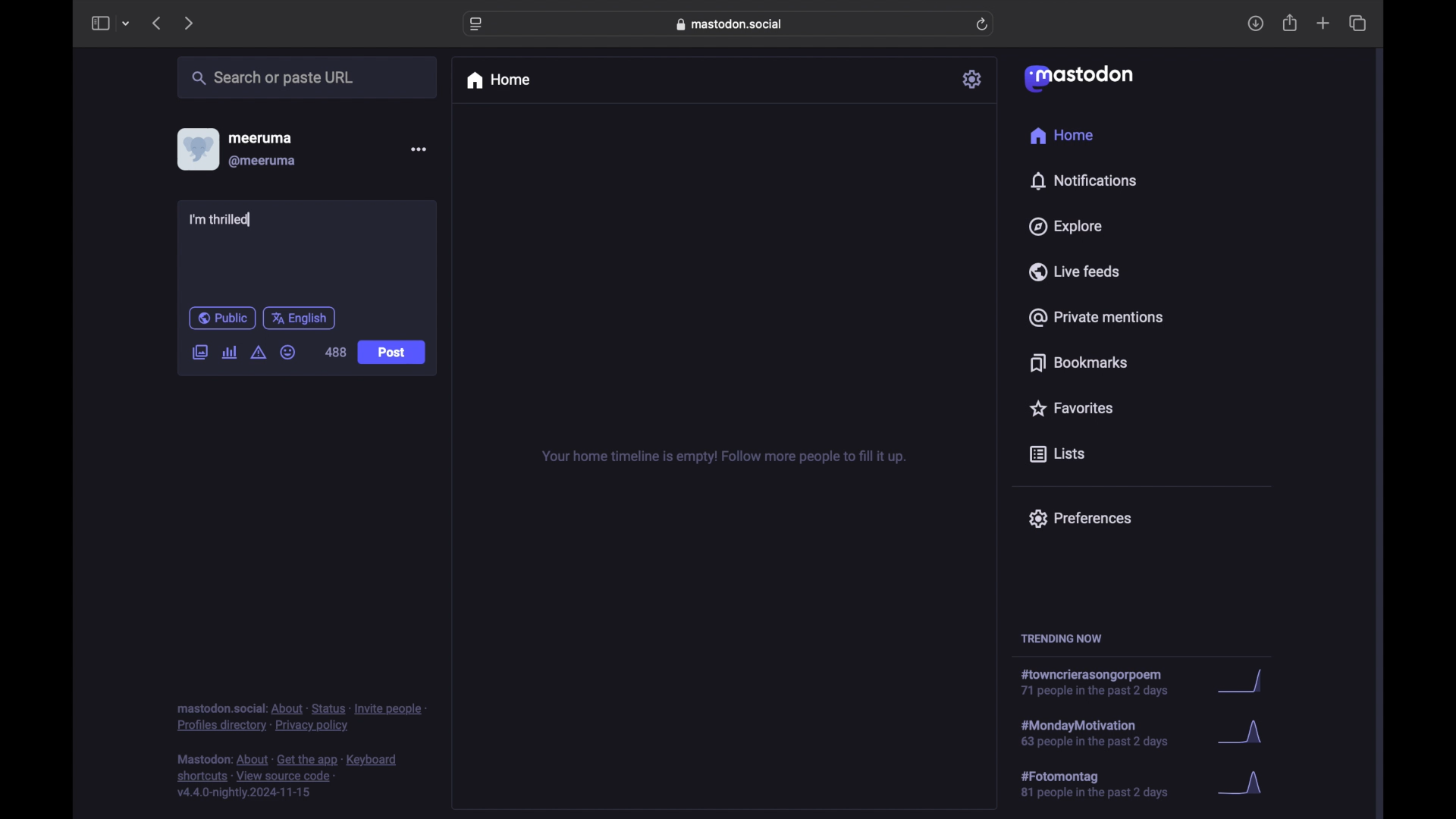 This screenshot has height=819, width=1456. Describe the element at coordinates (730, 24) in the screenshot. I see `web address` at that location.